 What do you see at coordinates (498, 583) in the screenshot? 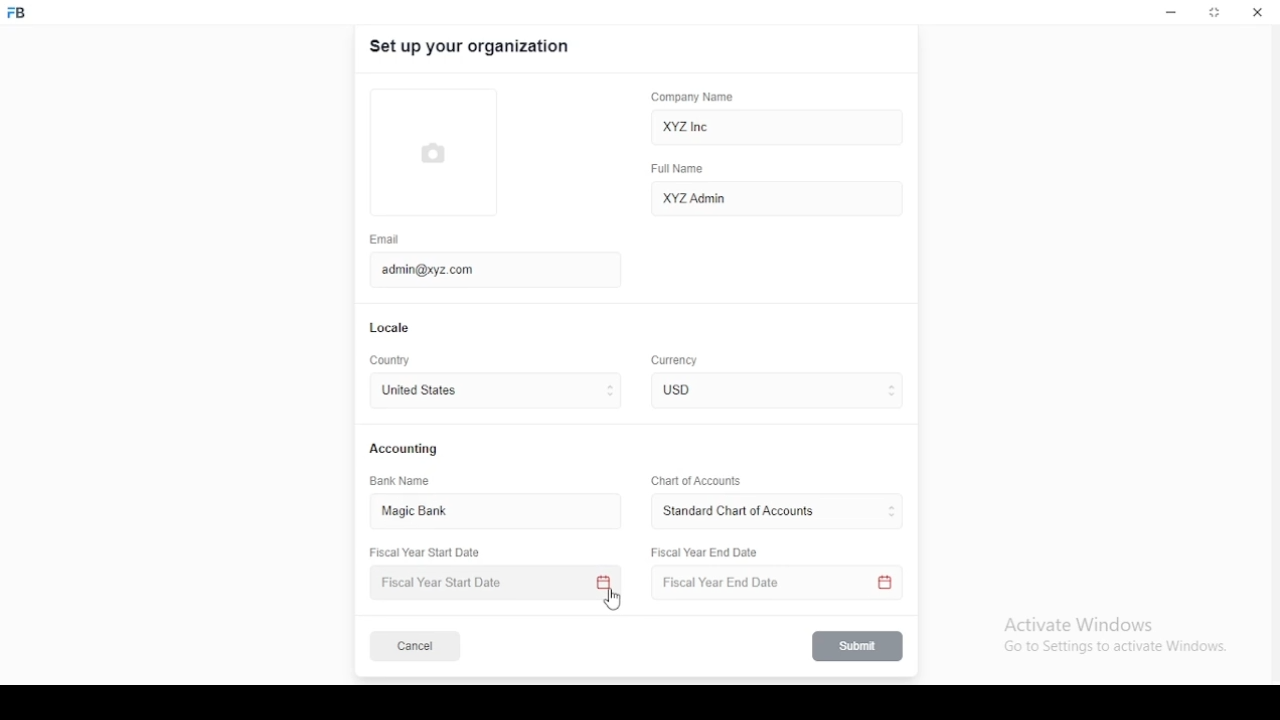
I see `Fiscal Year Start Date` at bounding box center [498, 583].